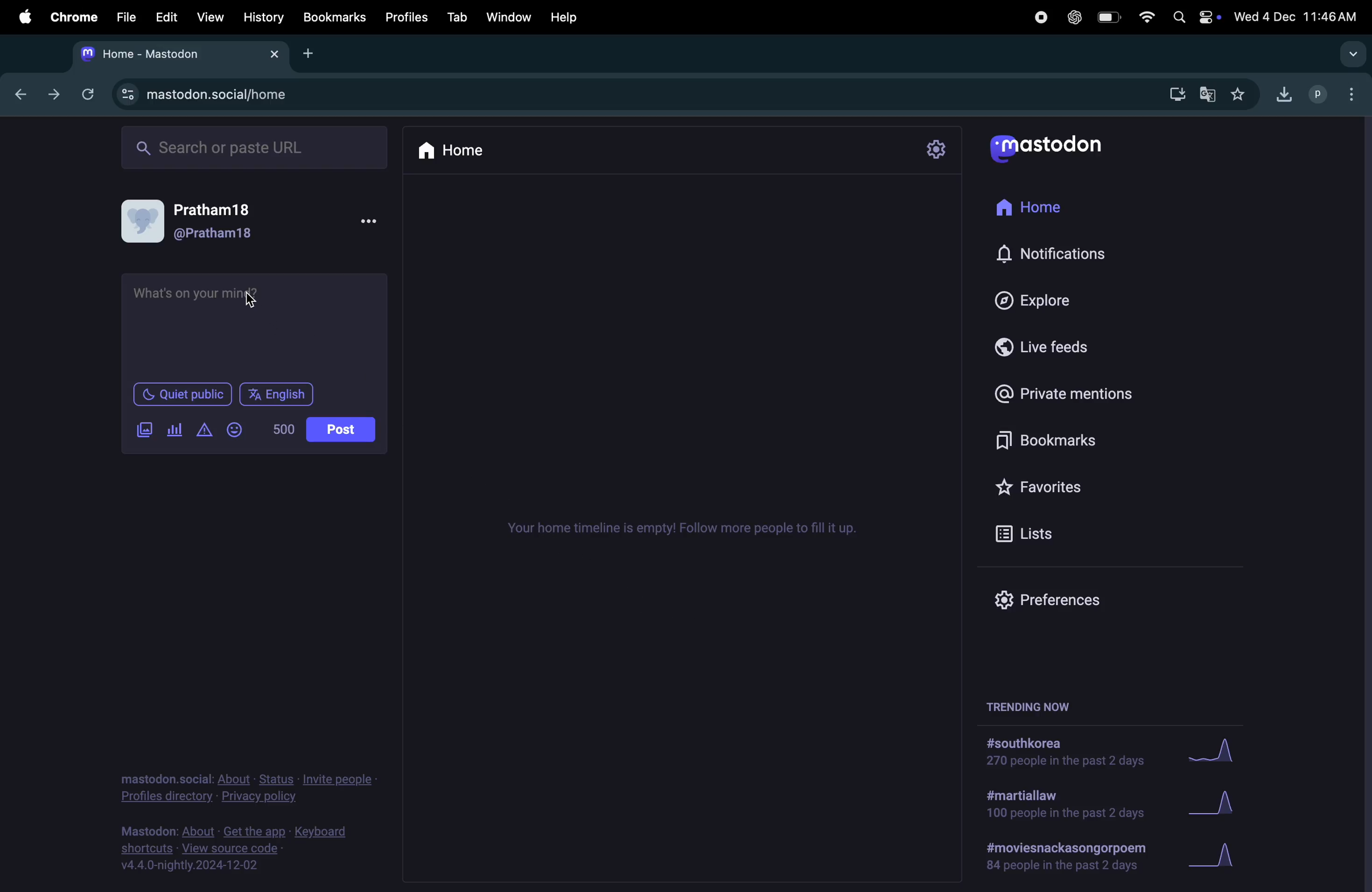 This screenshot has width=1372, height=892. Describe the element at coordinates (57, 94) in the screenshot. I see `forward` at that location.